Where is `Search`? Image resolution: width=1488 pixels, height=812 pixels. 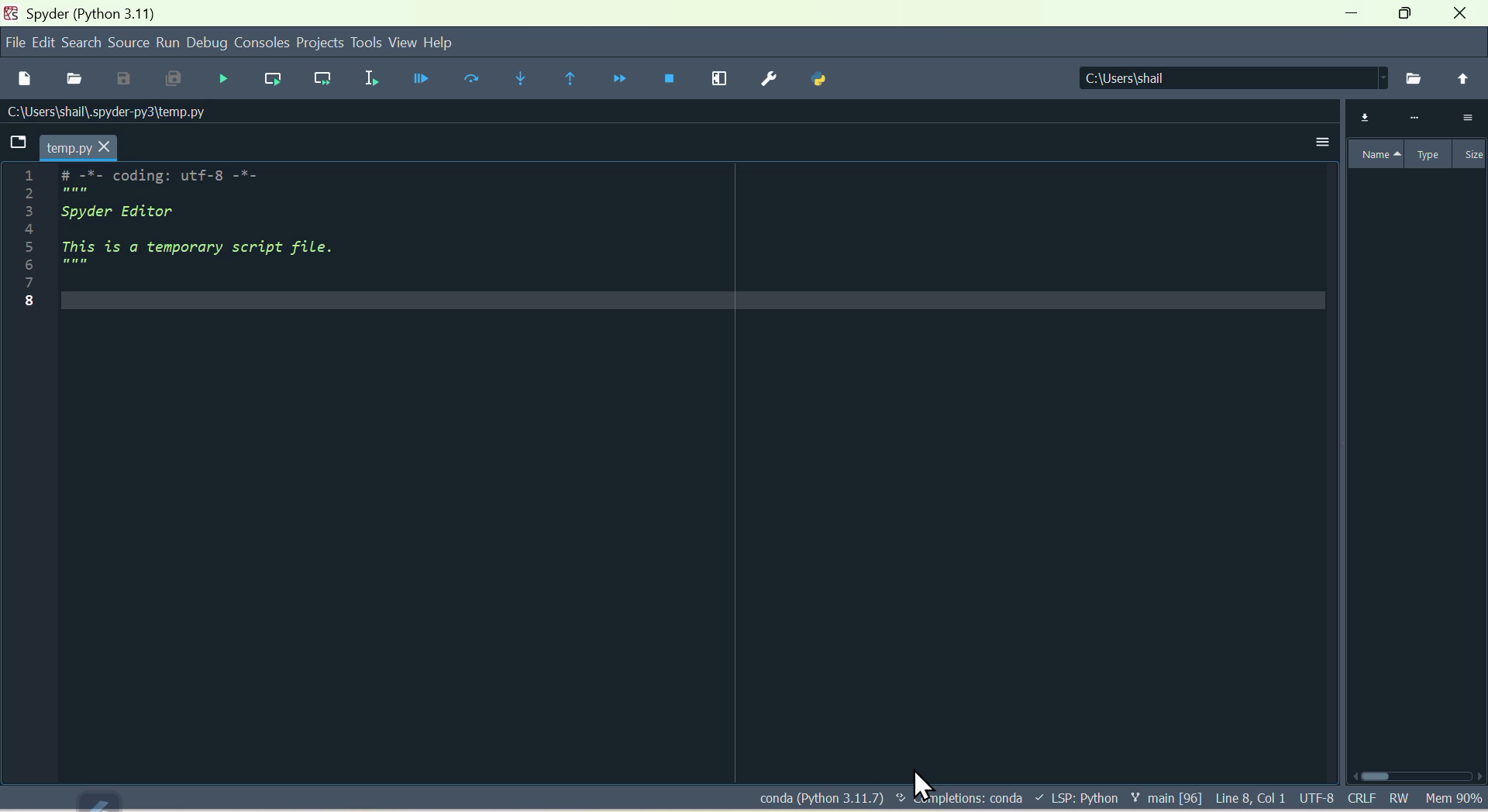 Search is located at coordinates (83, 41).